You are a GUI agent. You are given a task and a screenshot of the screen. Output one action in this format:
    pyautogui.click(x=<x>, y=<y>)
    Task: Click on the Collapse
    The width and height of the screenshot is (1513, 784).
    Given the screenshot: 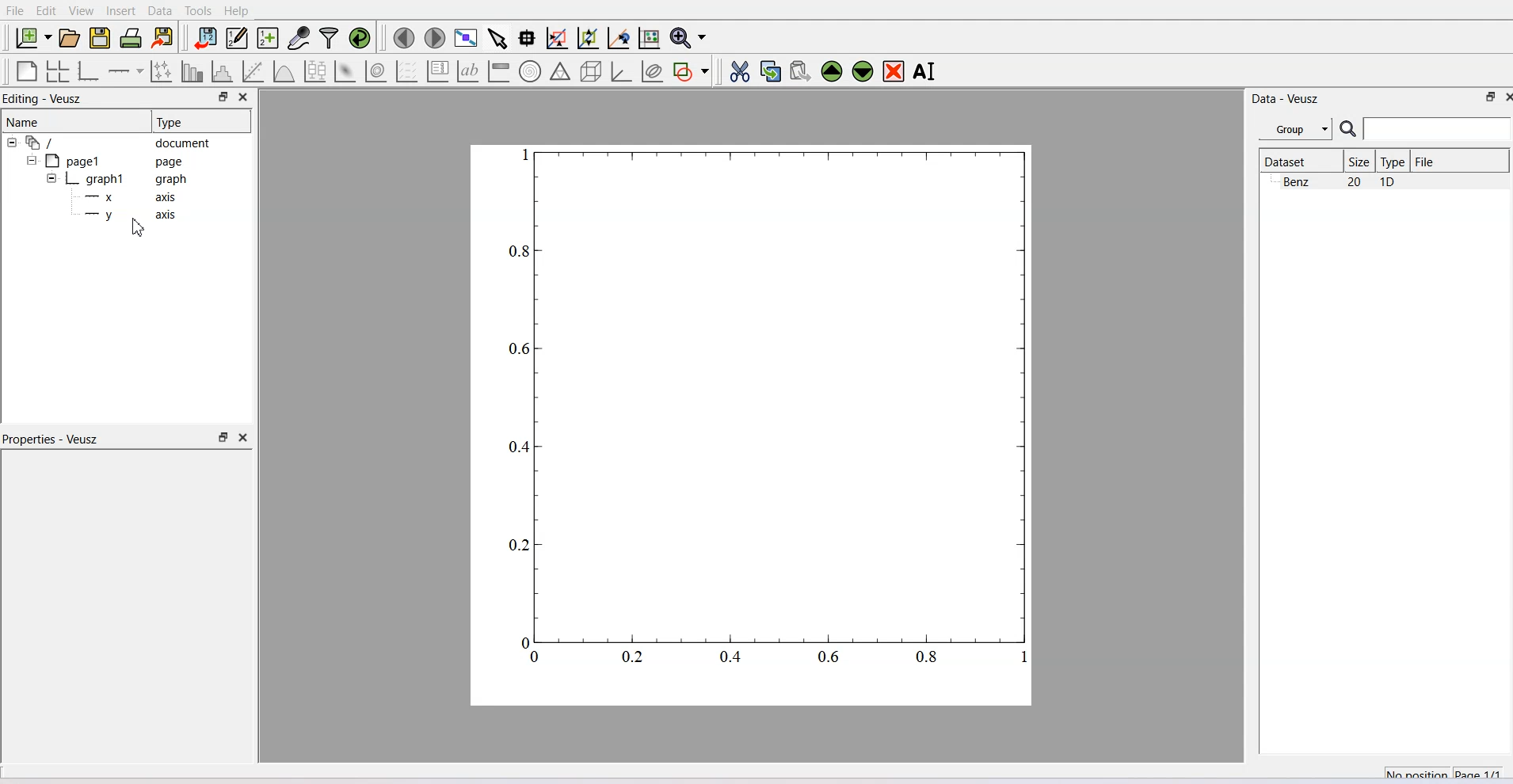 What is the action you would take?
    pyautogui.click(x=48, y=178)
    